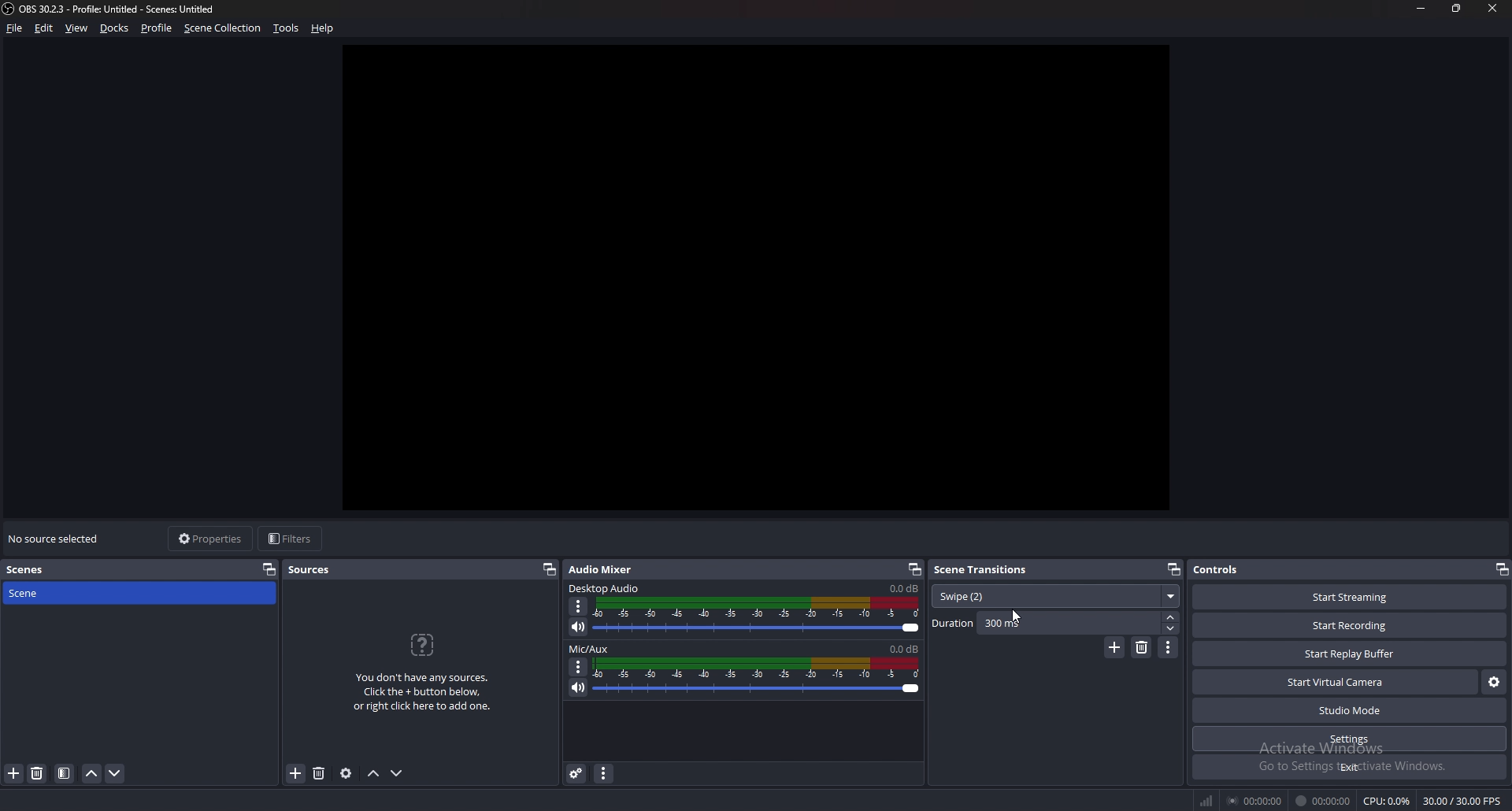 Image resolution: width=1512 pixels, height=811 pixels. Describe the element at coordinates (115, 28) in the screenshot. I see `docks` at that location.